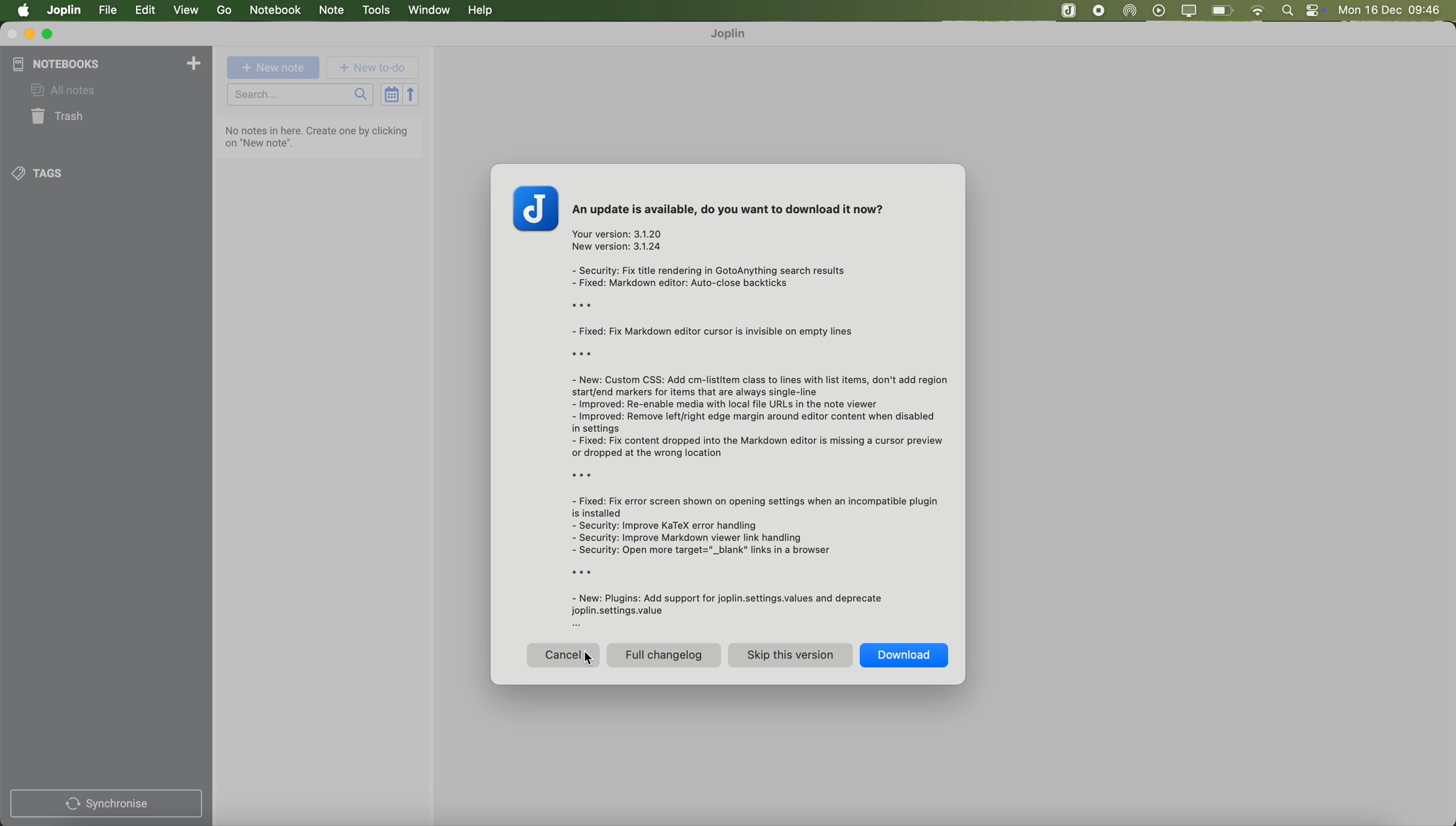 This screenshot has height=826, width=1456. Describe the element at coordinates (666, 656) in the screenshot. I see `full changelog` at that location.